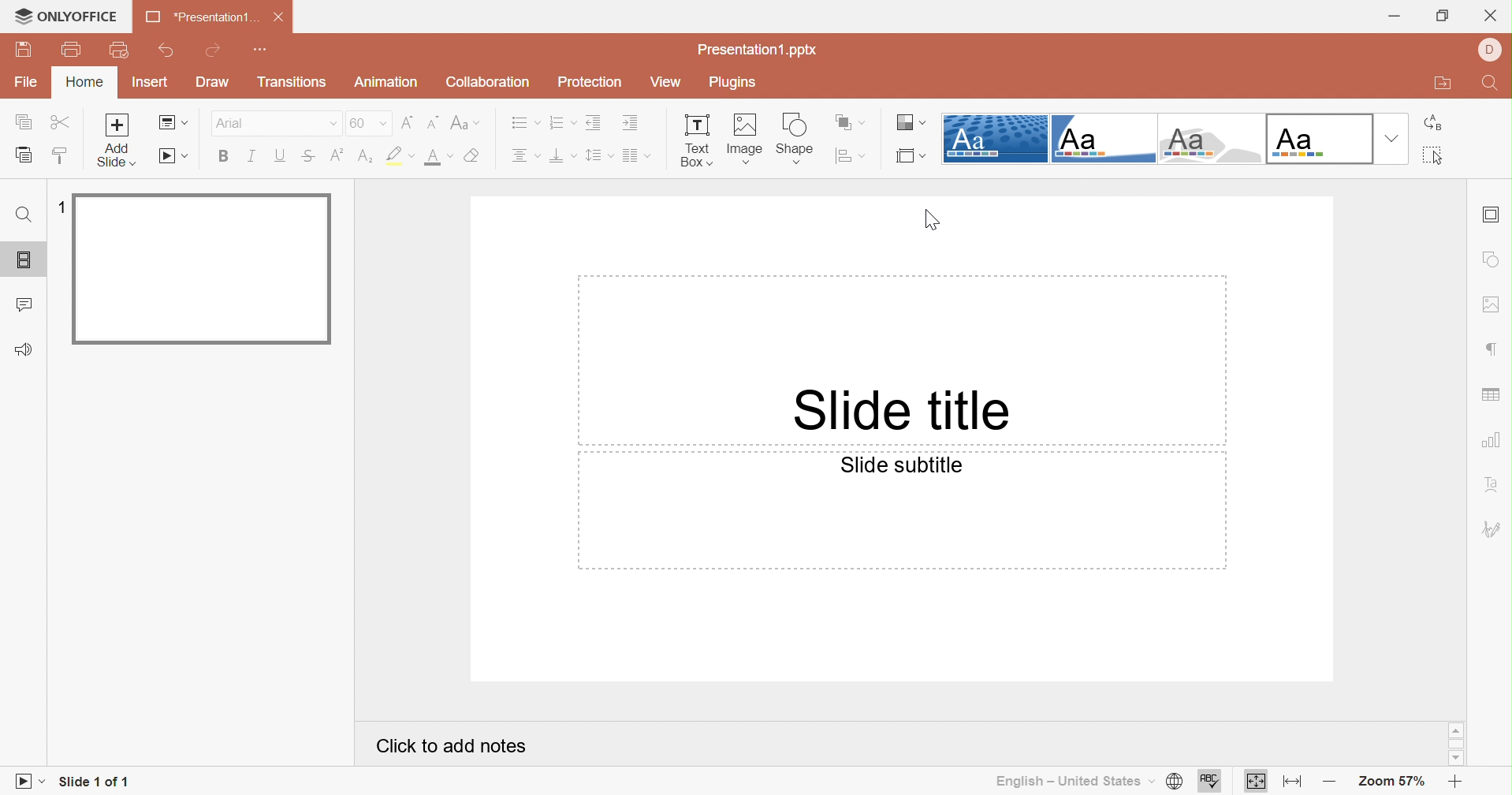 Image resolution: width=1512 pixels, height=795 pixels. What do you see at coordinates (594, 123) in the screenshot?
I see `Decrease indent` at bounding box center [594, 123].